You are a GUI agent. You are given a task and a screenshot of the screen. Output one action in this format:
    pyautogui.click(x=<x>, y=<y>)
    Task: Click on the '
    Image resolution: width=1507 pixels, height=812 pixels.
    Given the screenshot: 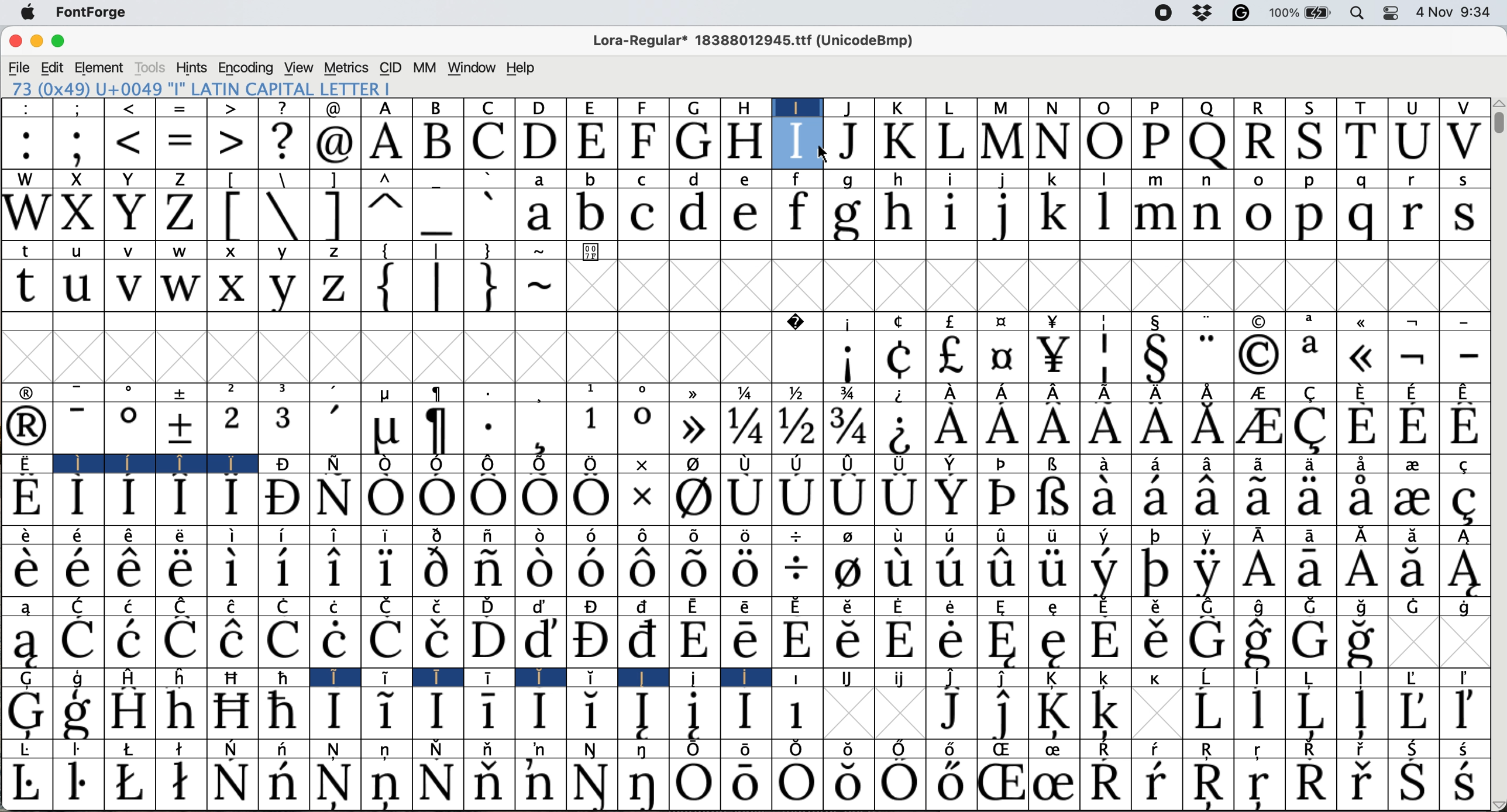 What is the action you would take?
    pyautogui.click(x=335, y=429)
    